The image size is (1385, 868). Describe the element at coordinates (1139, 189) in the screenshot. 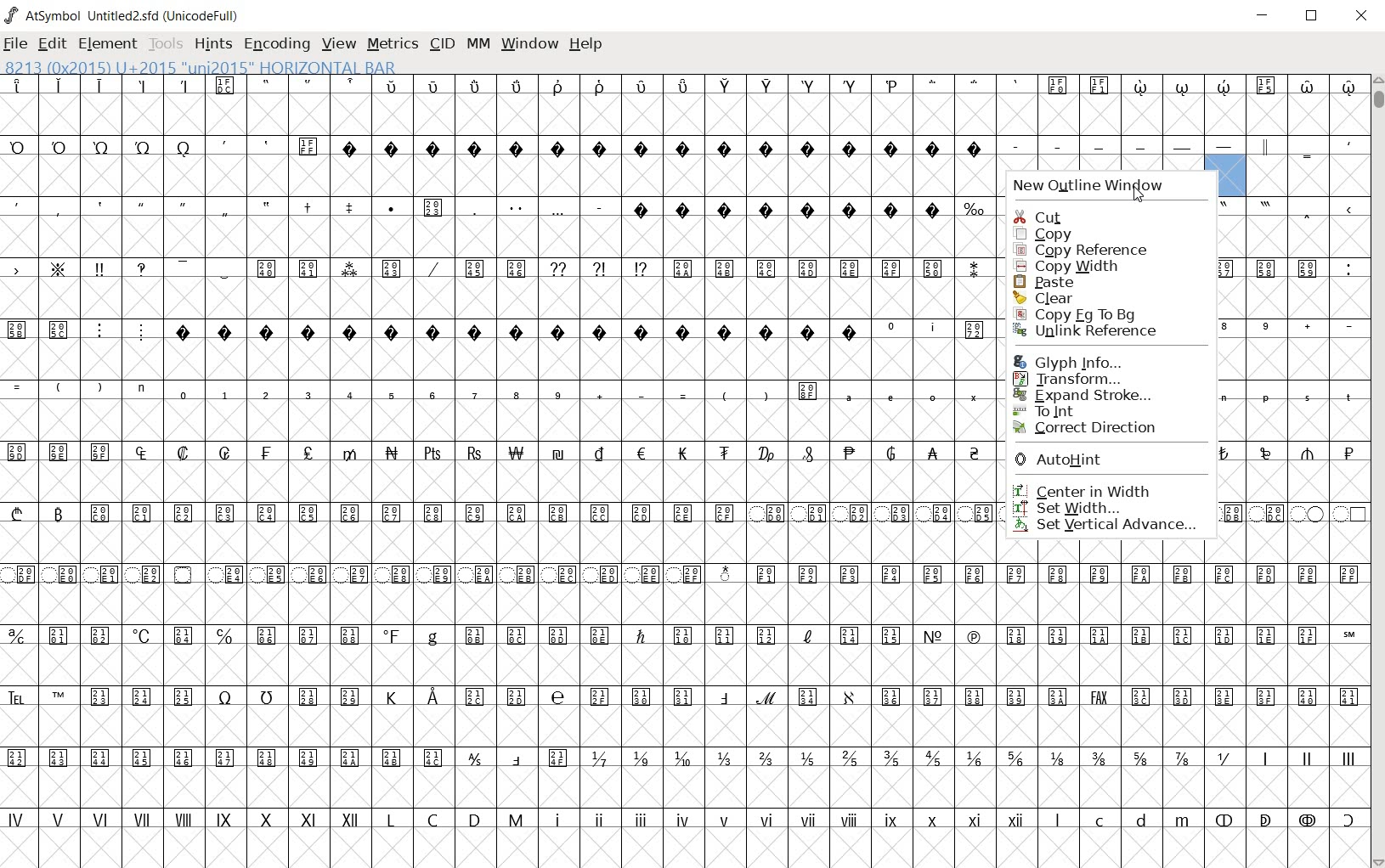

I see `cursor location` at that location.